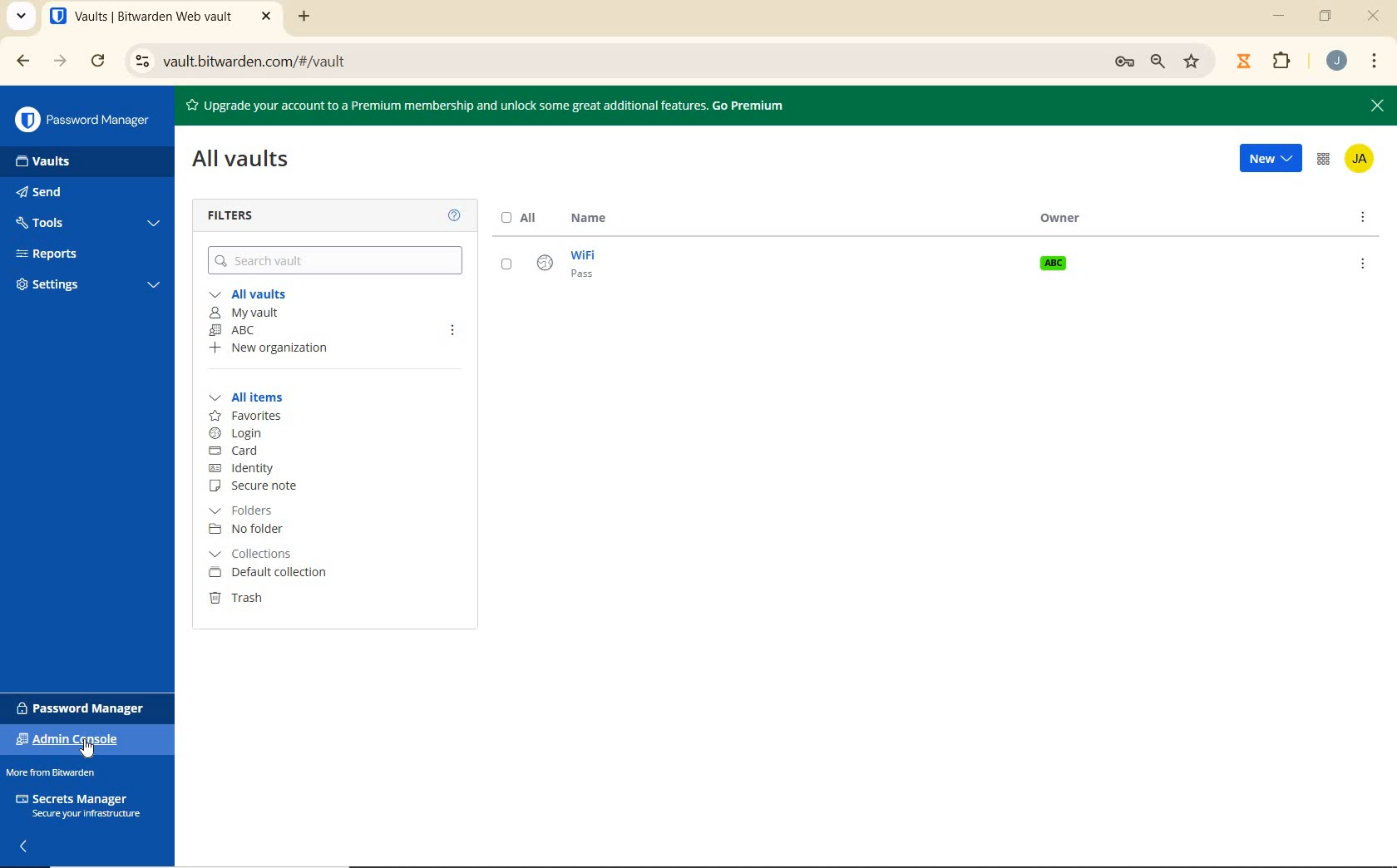 This screenshot has height=868, width=1397. What do you see at coordinates (251, 294) in the screenshot?
I see `ALL VAULTS` at bounding box center [251, 294].